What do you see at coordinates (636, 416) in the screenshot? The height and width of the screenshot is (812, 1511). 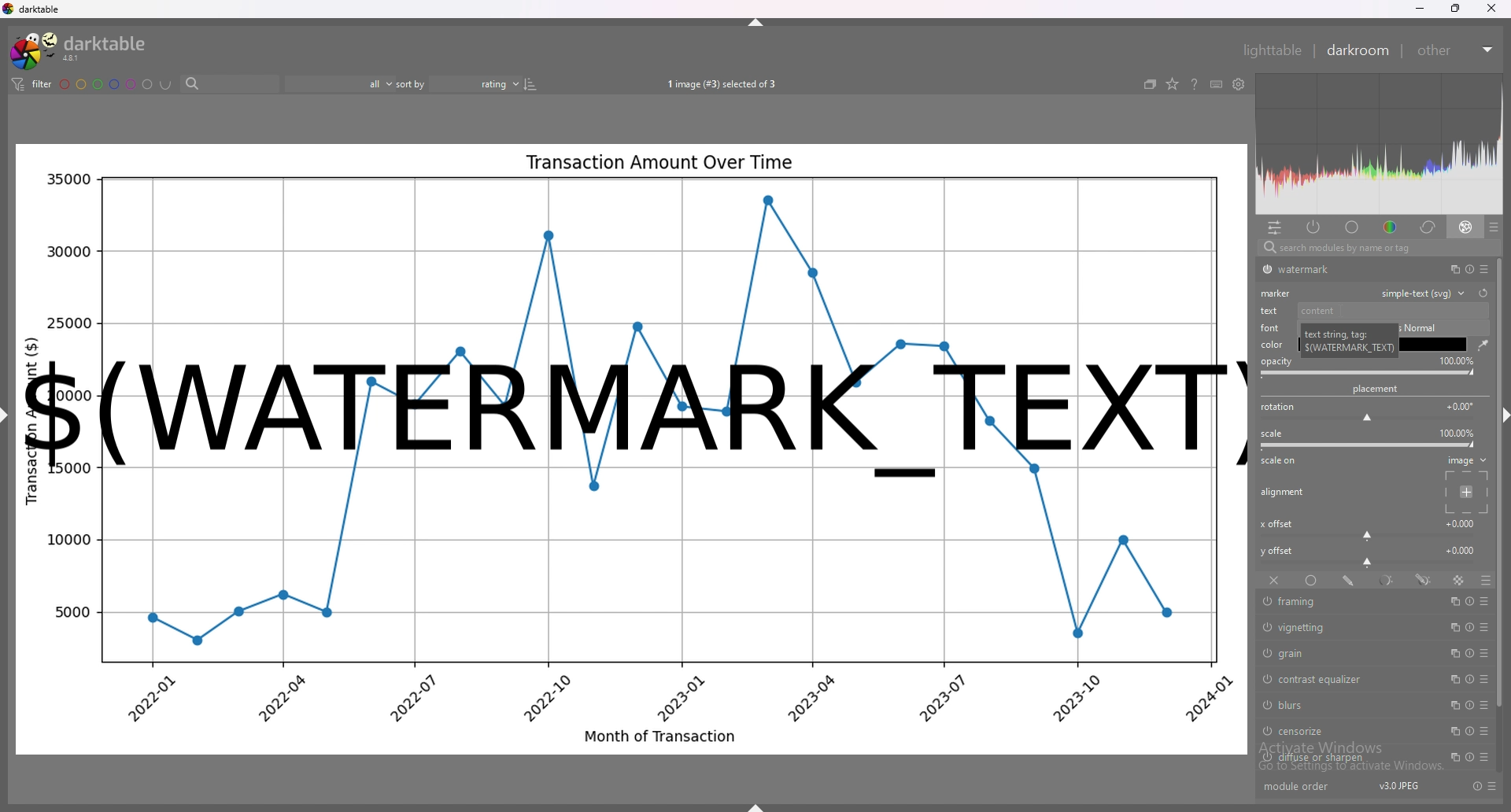 I see `watermarked text` at bounding box center [636, 416].